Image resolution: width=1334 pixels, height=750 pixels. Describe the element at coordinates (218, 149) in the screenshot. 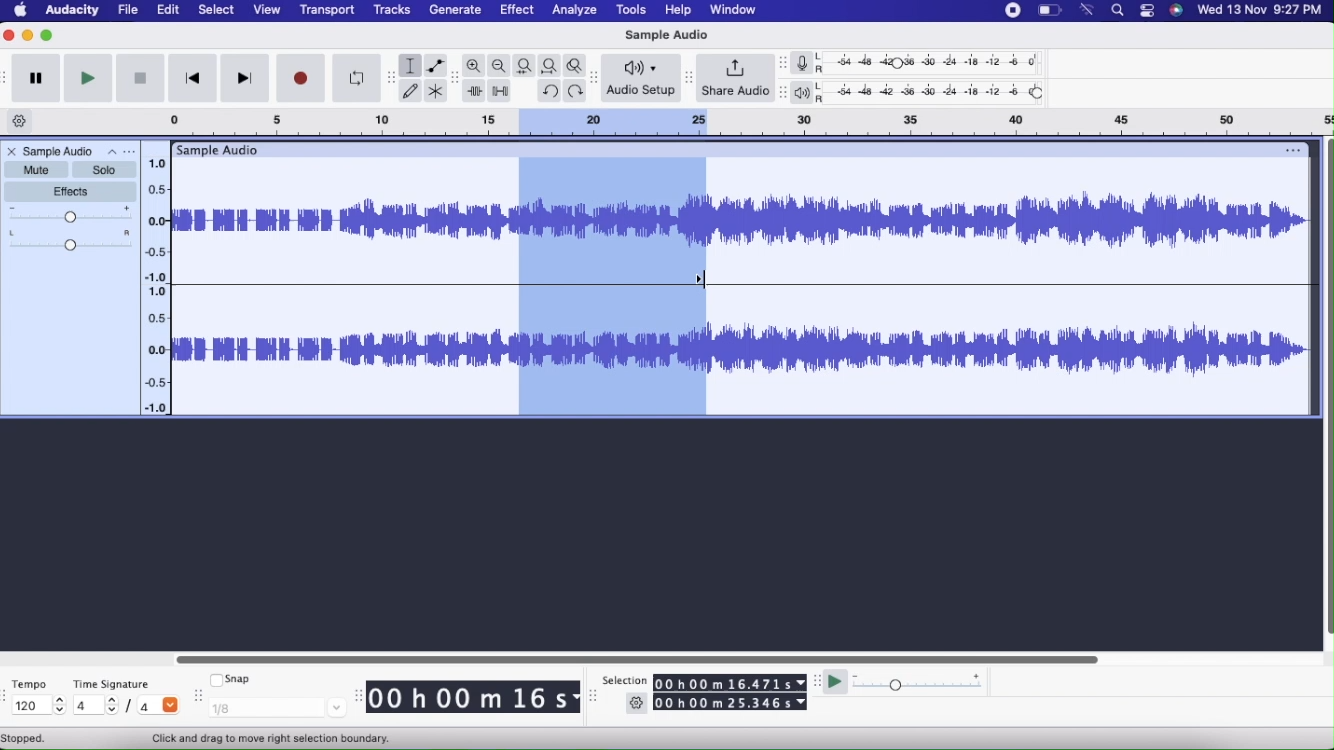

I see `sample audio` at that location.